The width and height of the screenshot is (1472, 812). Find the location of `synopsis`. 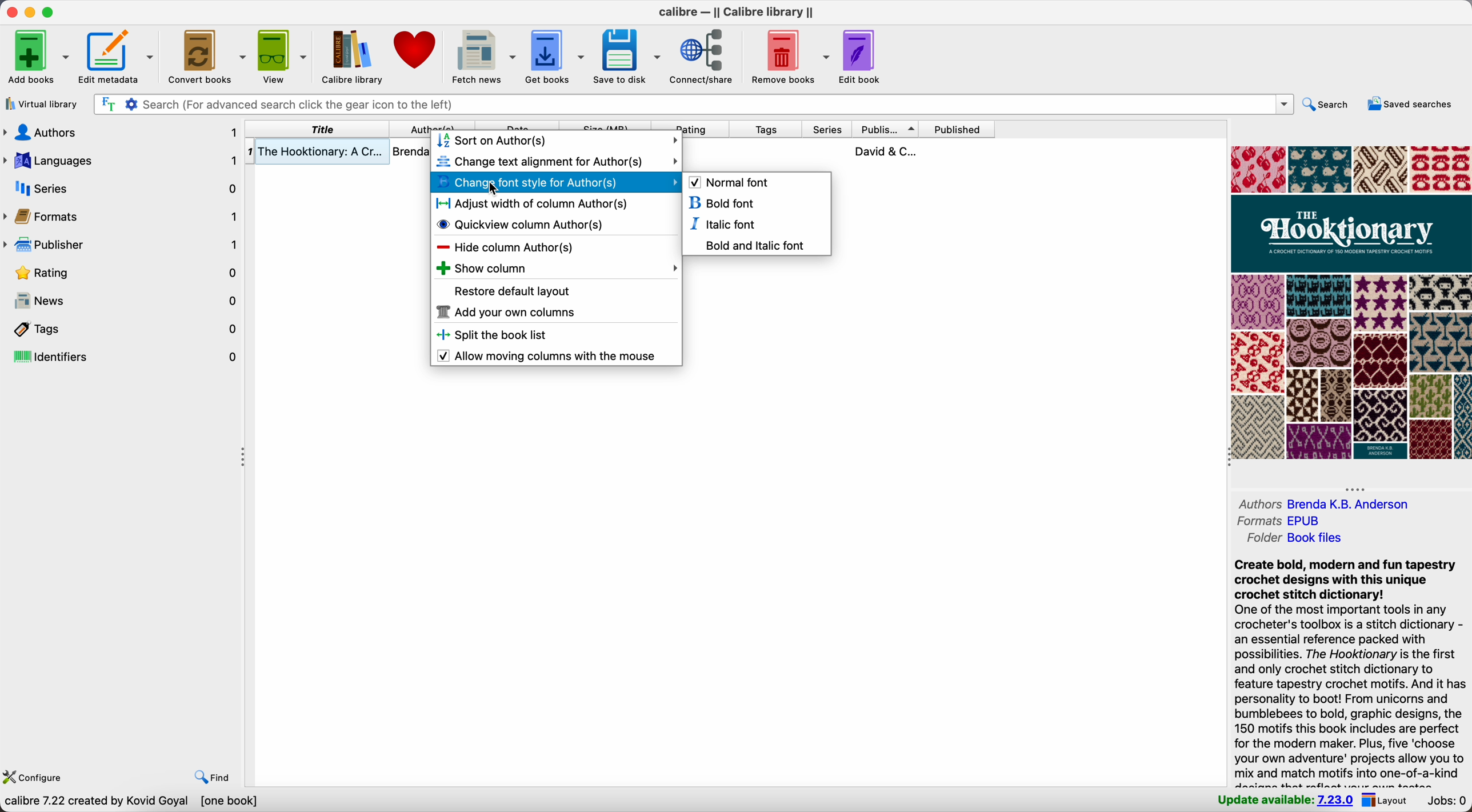

synopsis is located at coordinates (1349, 671).